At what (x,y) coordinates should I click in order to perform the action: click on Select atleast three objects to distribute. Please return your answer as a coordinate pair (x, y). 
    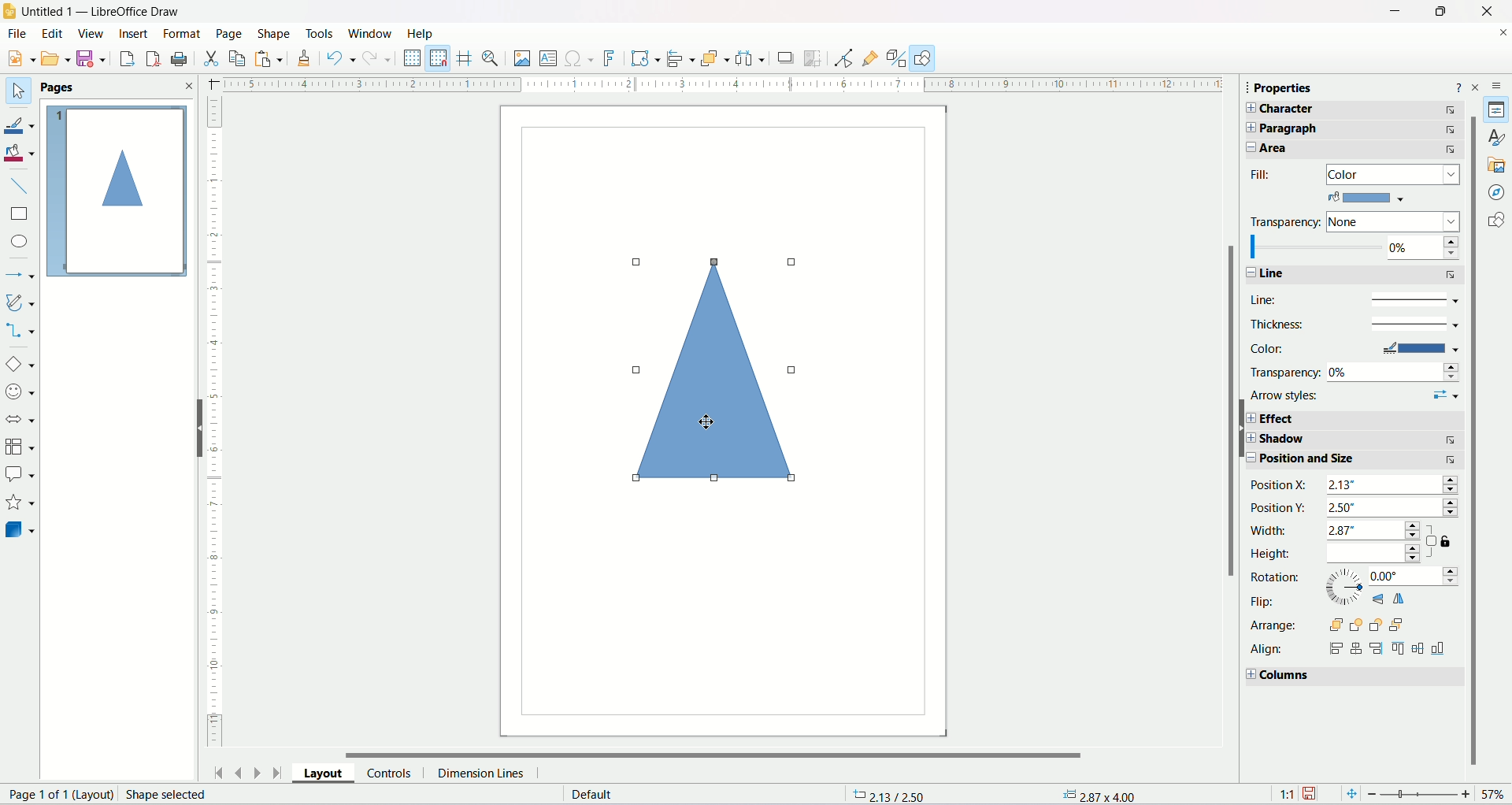
    Looking at the image, I should click on (749, 58).